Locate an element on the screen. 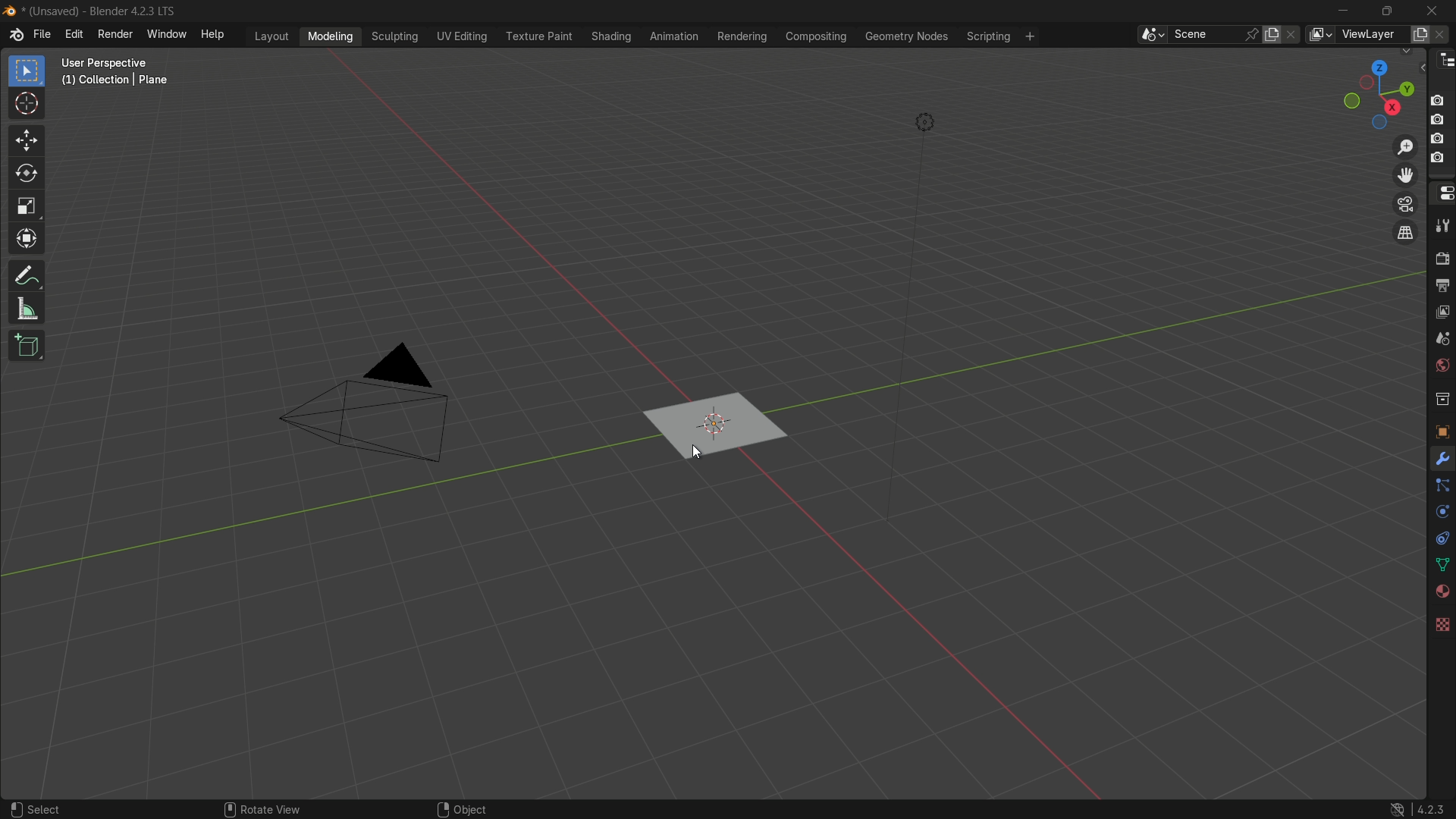  window menu is located at coordinates (166, 34).